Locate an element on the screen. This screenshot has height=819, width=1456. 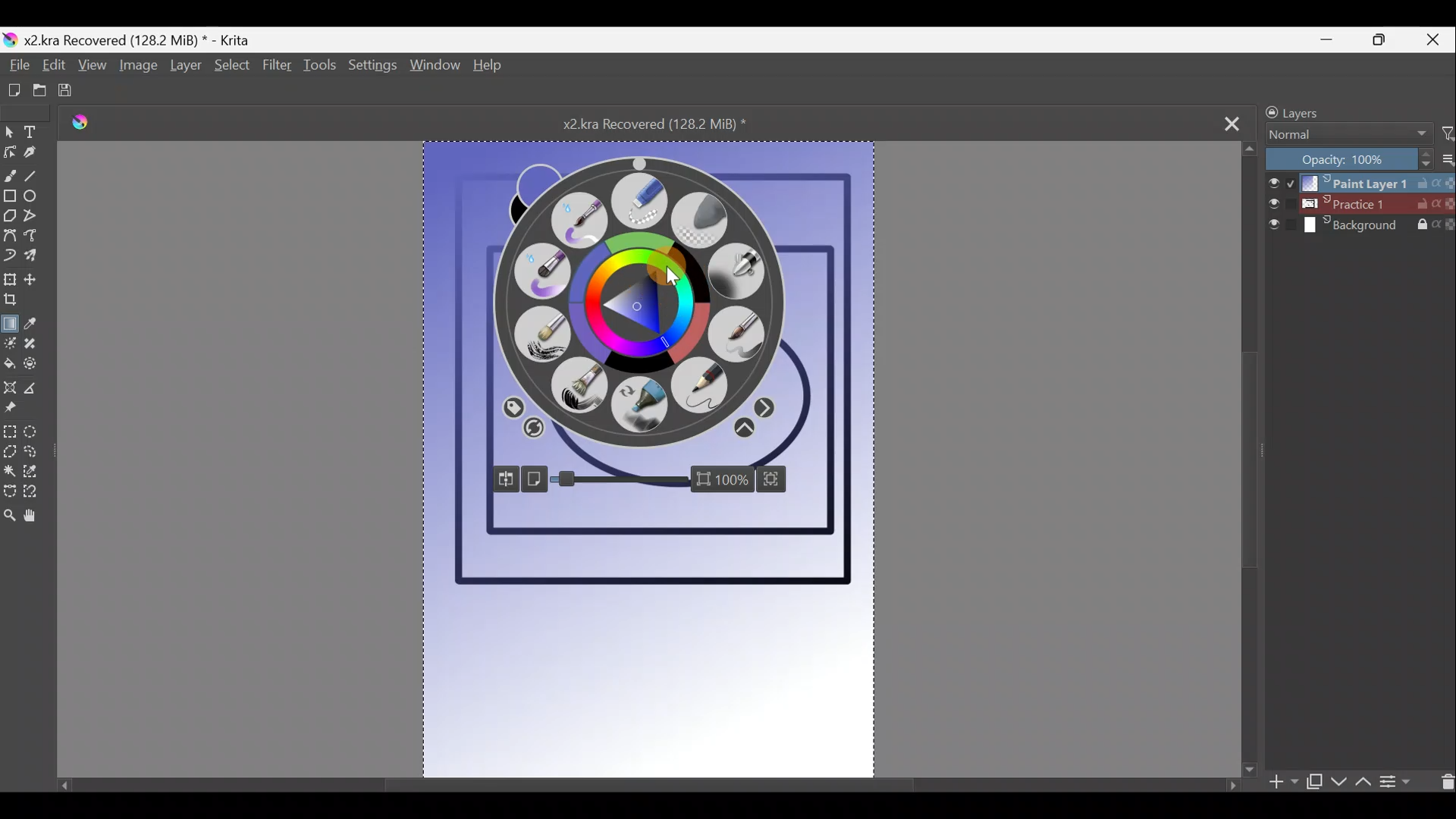
Dynamic brush tool is located at coordinates (11, 256).